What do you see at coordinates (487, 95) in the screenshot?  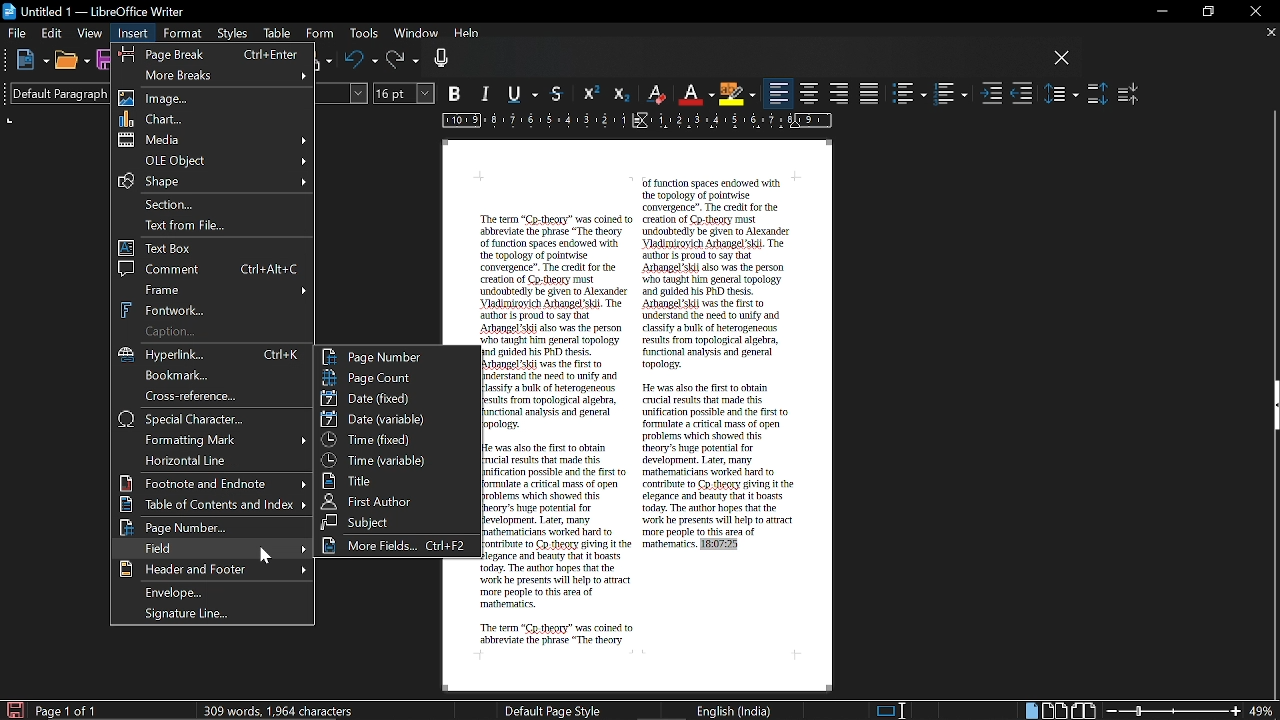 I see `Italic` at bounding box center [487, 95].